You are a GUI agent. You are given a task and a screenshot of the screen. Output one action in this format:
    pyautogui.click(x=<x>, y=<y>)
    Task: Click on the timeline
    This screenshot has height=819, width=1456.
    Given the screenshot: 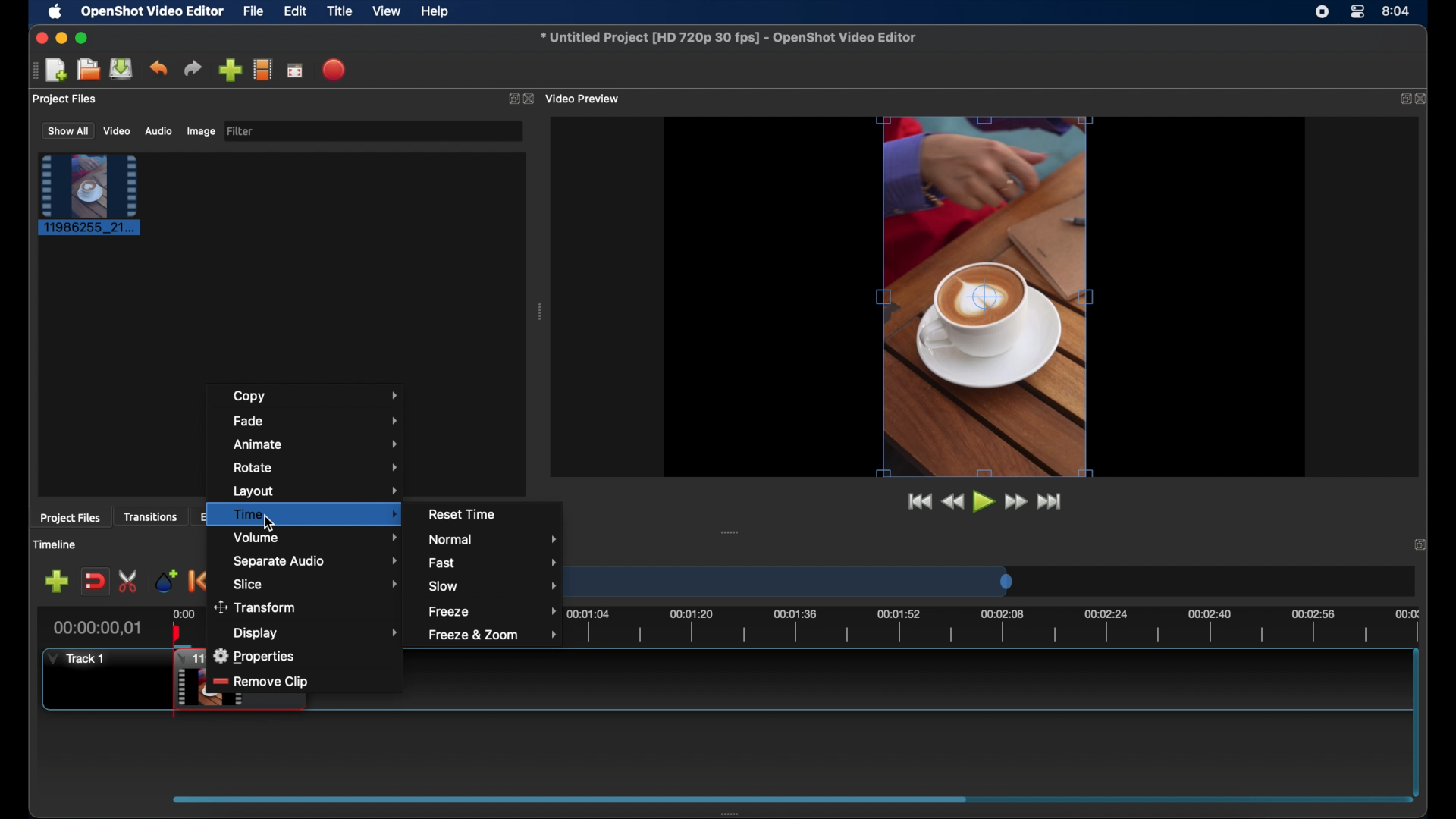 What is the action you would take?
    pyautogui.click(x=56, y=544)
    